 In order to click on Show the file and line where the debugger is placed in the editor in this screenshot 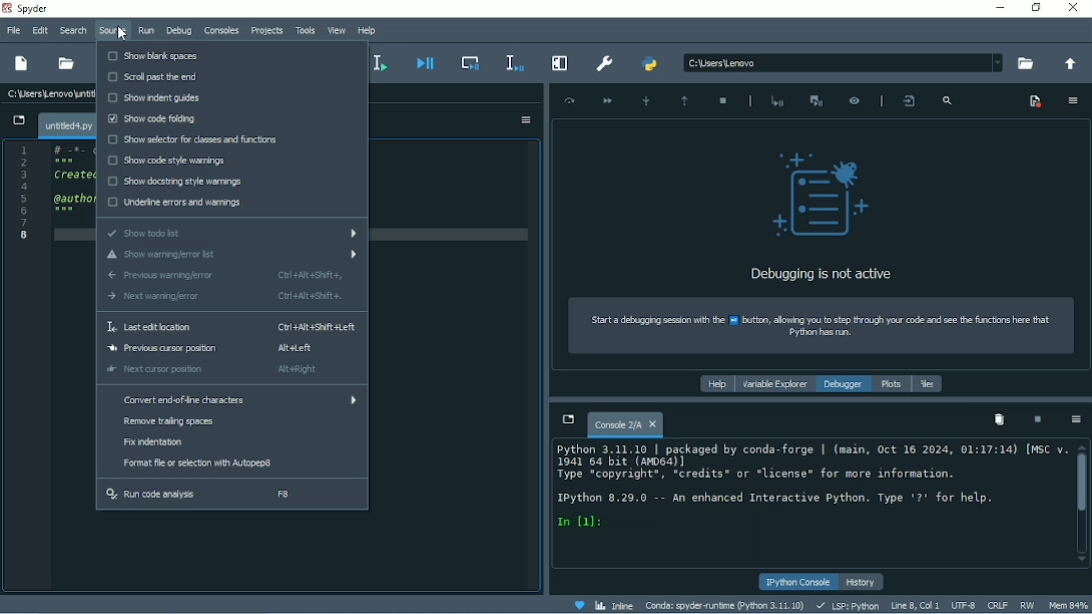, I will do `click(907, 101)`.